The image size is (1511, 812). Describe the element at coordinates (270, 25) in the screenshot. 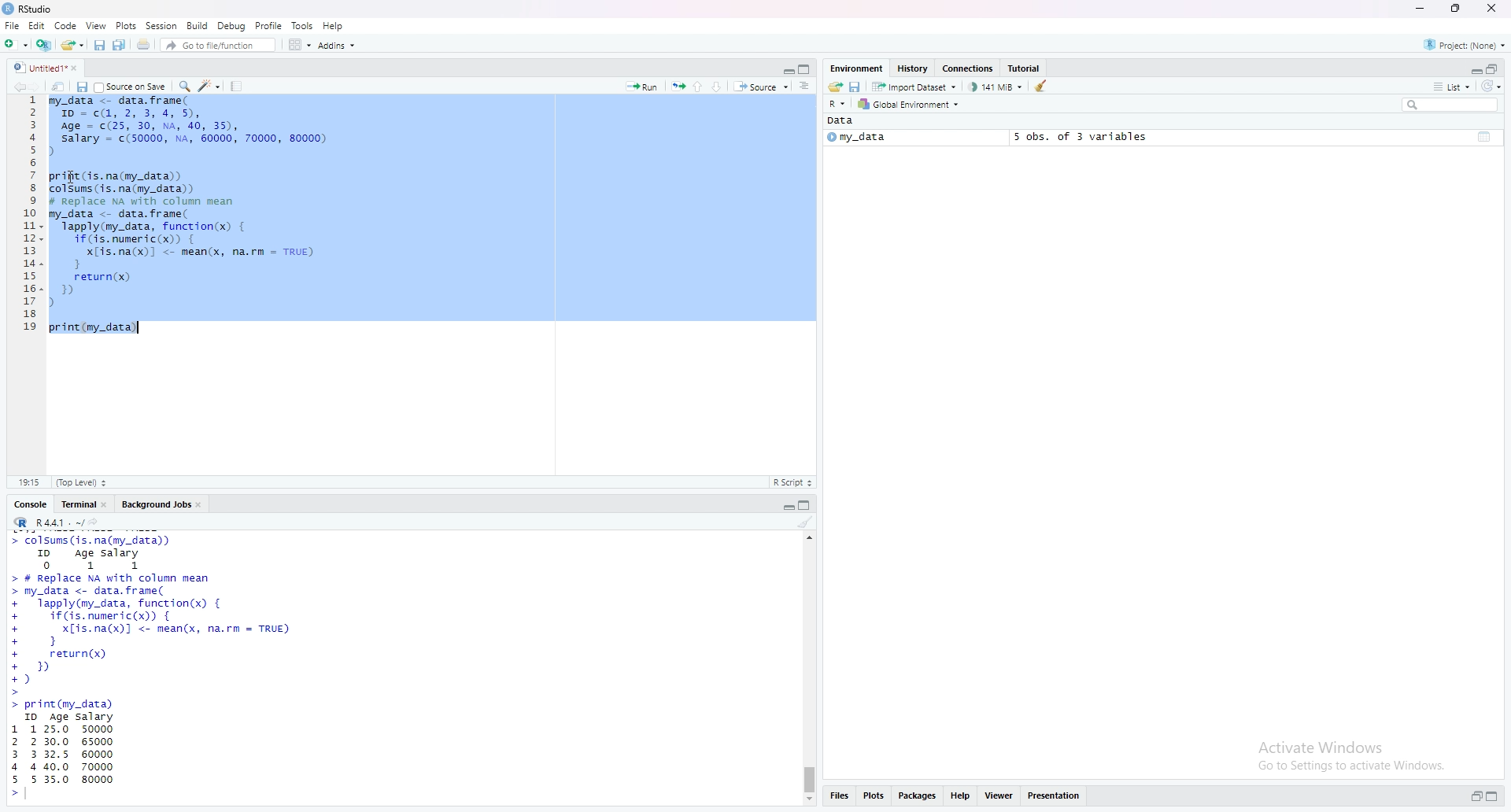

I see `Profile` at that location.